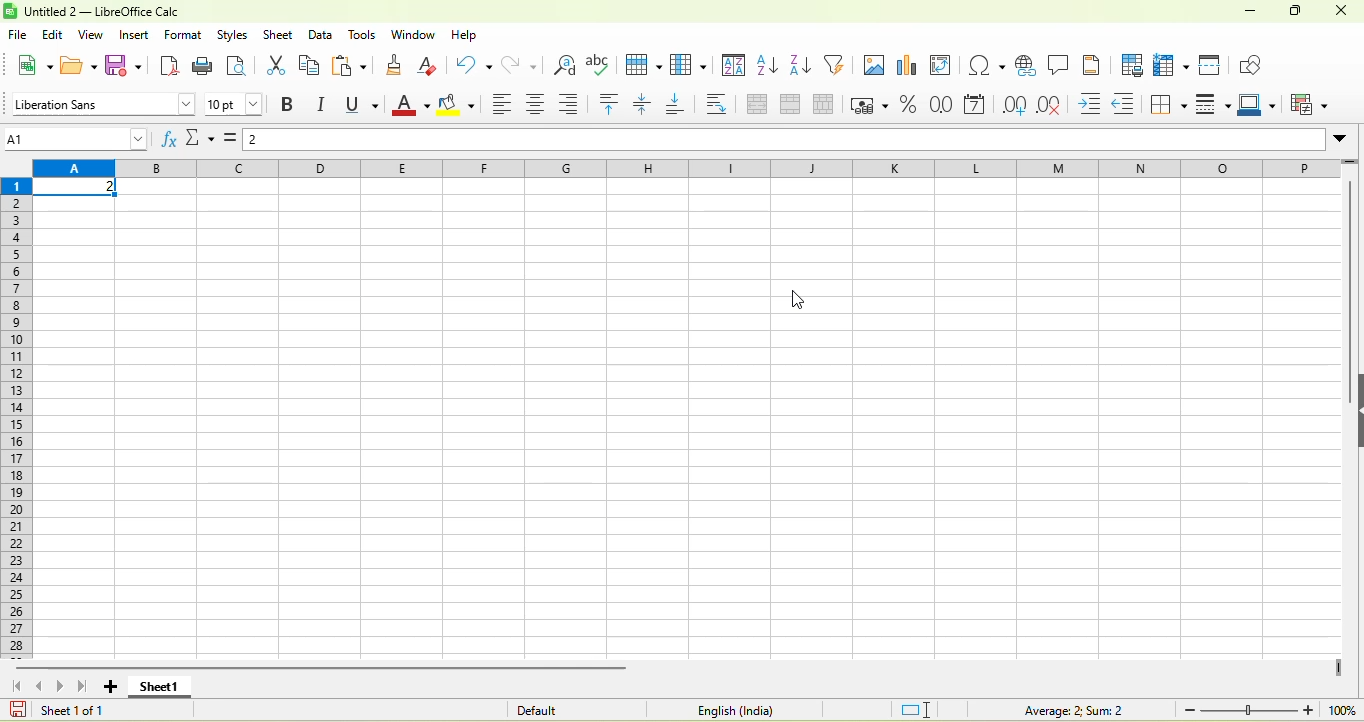 The height and width of the screenshot is (722, 1364). Describe the element at coordinates (16, 685) in the screenshot. I see `scroll to first sheet` at that location.